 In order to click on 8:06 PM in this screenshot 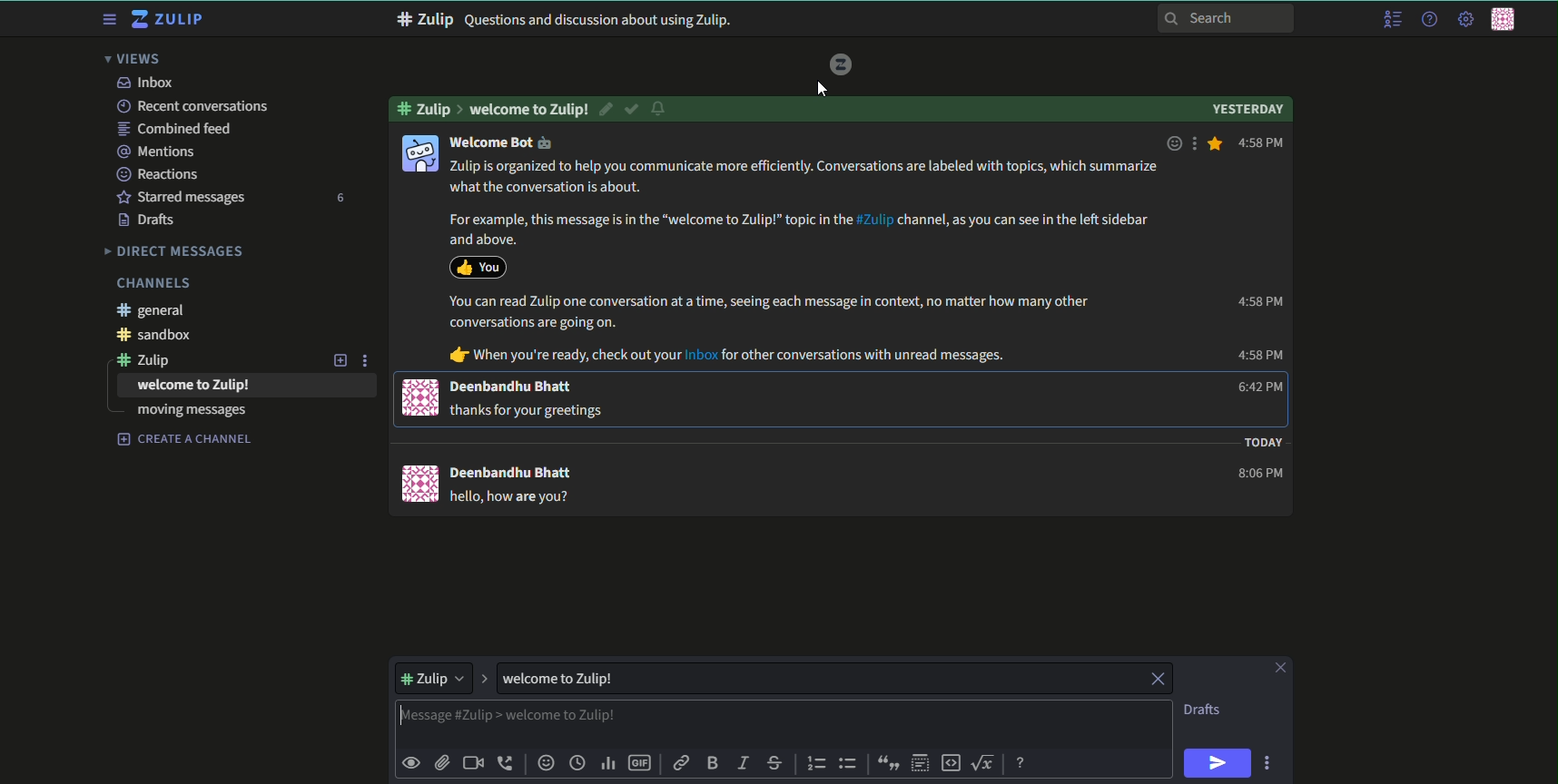, I will do `click(1260, 473)`.